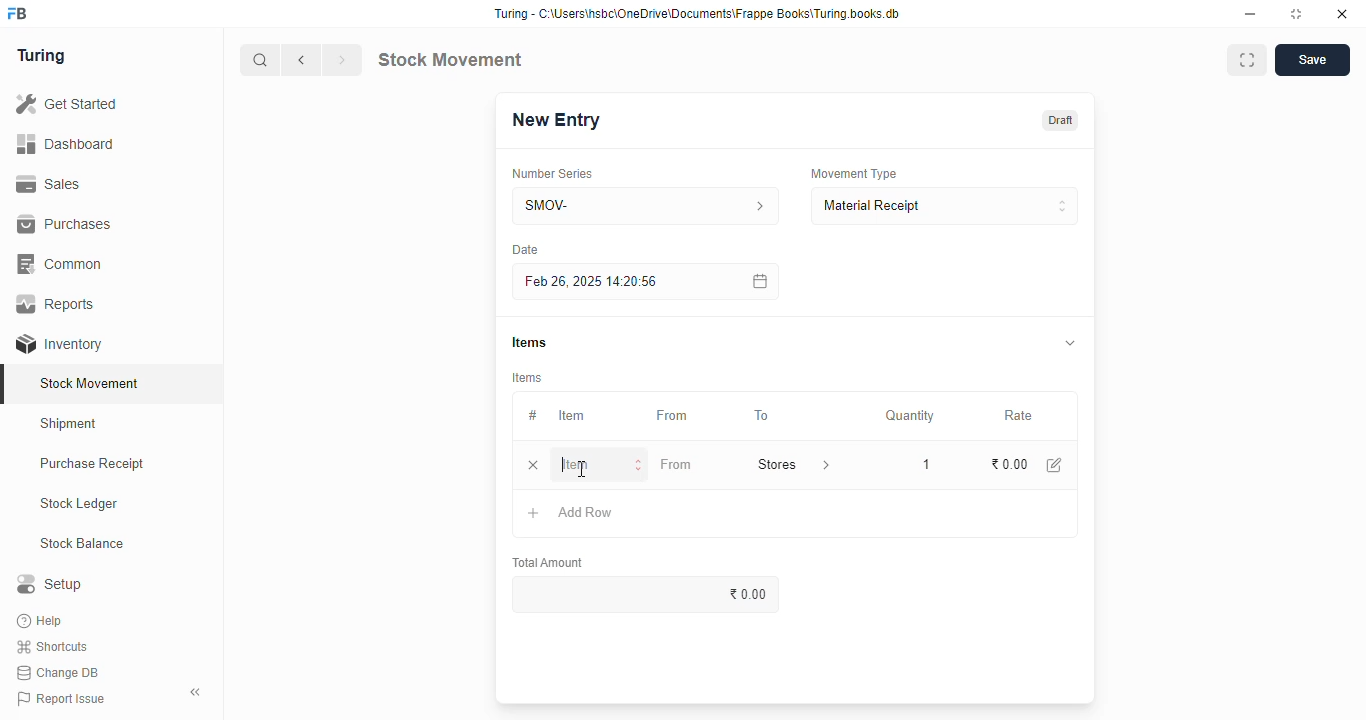 The width and height of the screenshot is (1366, 720). What do you see at coordinates (261, 60) in the screenshot?
I see `search` at bounding box center [261, 60].